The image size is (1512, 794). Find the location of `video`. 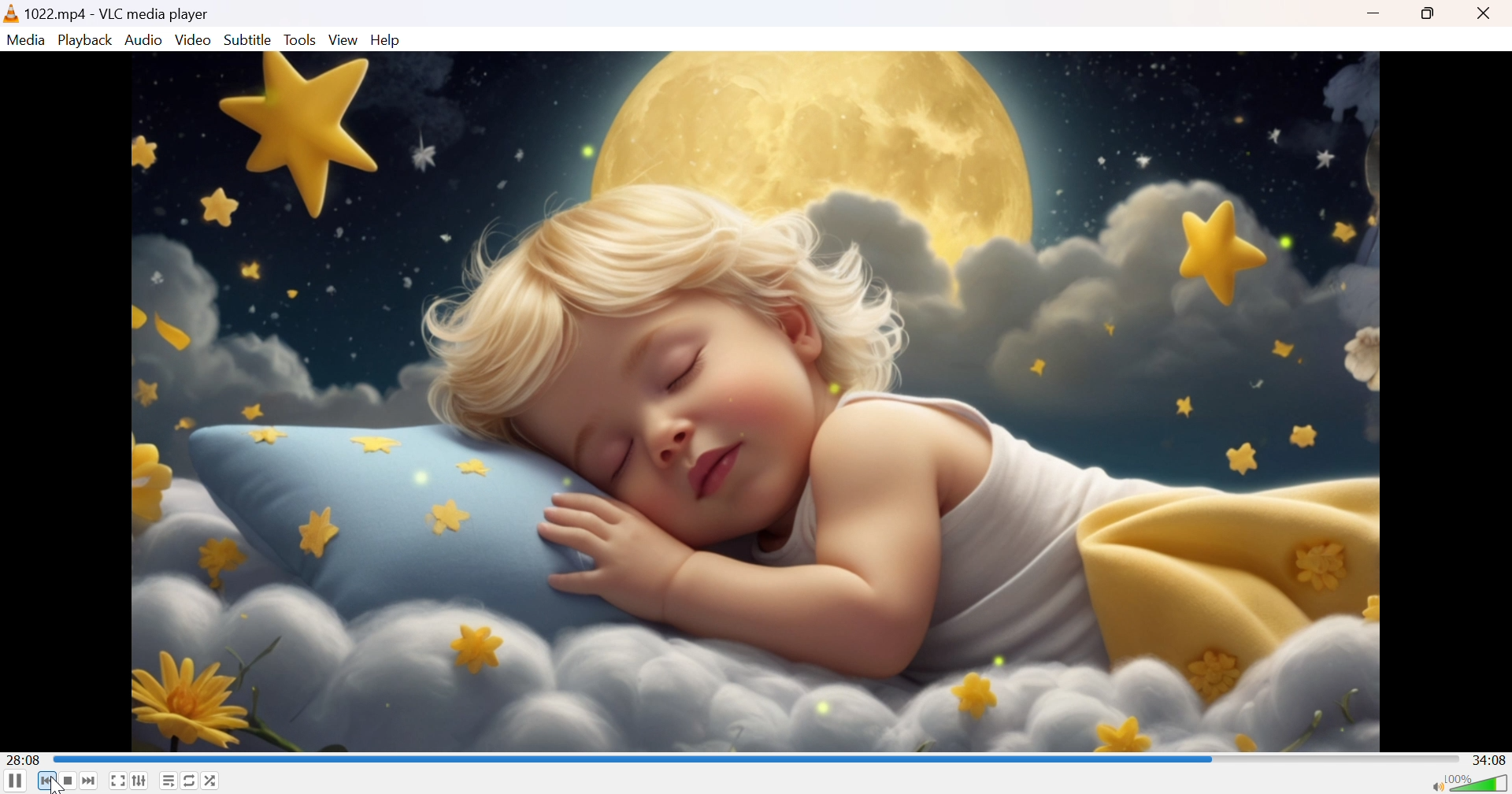

video is located at coordinates (758, 400).